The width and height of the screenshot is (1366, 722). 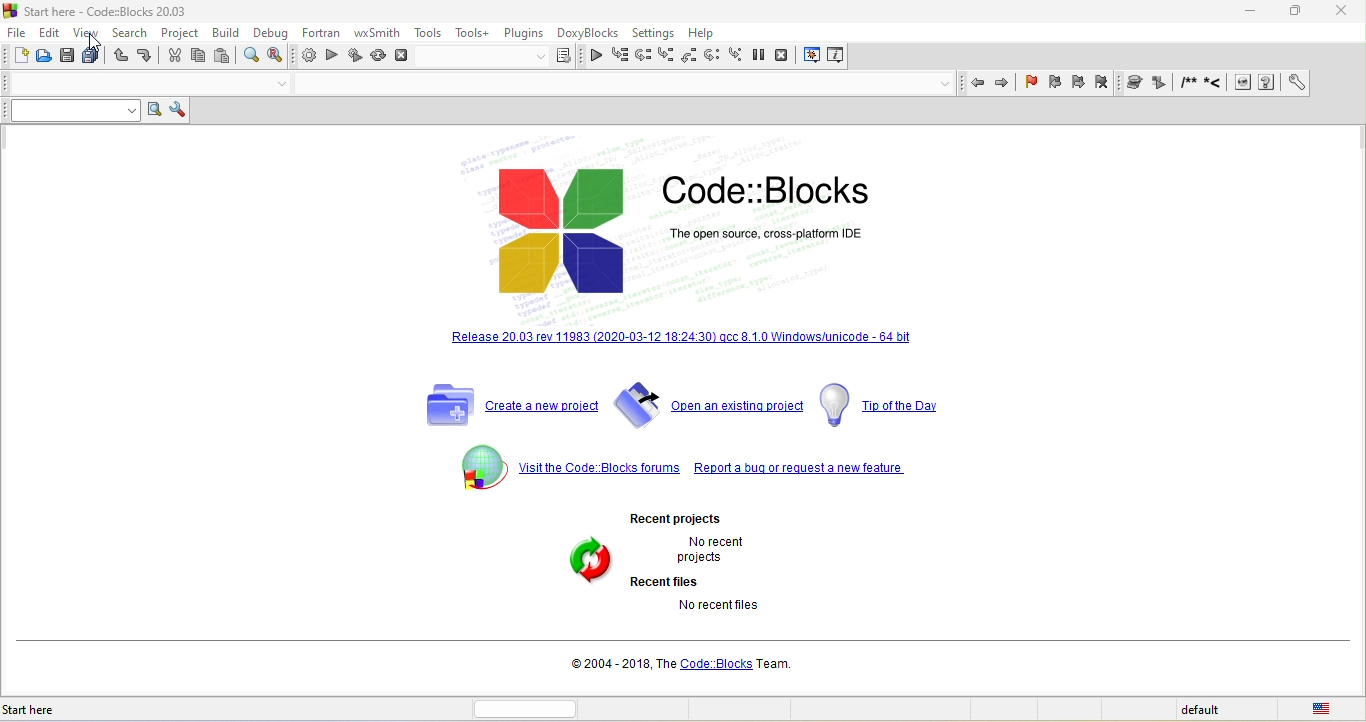 I want to click on edit, so click(x=51, y=31).